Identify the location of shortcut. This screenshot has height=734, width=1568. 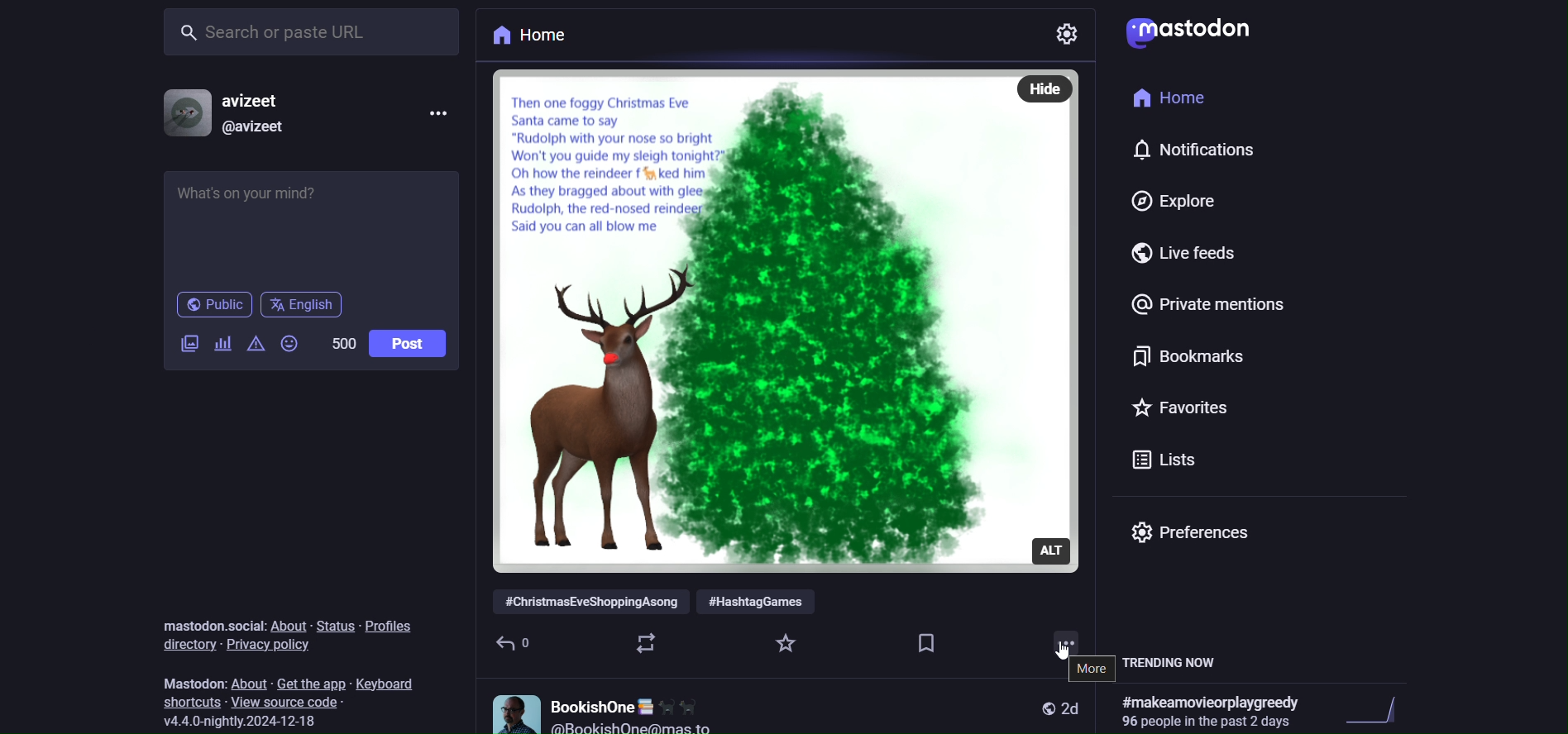
(191, 702).